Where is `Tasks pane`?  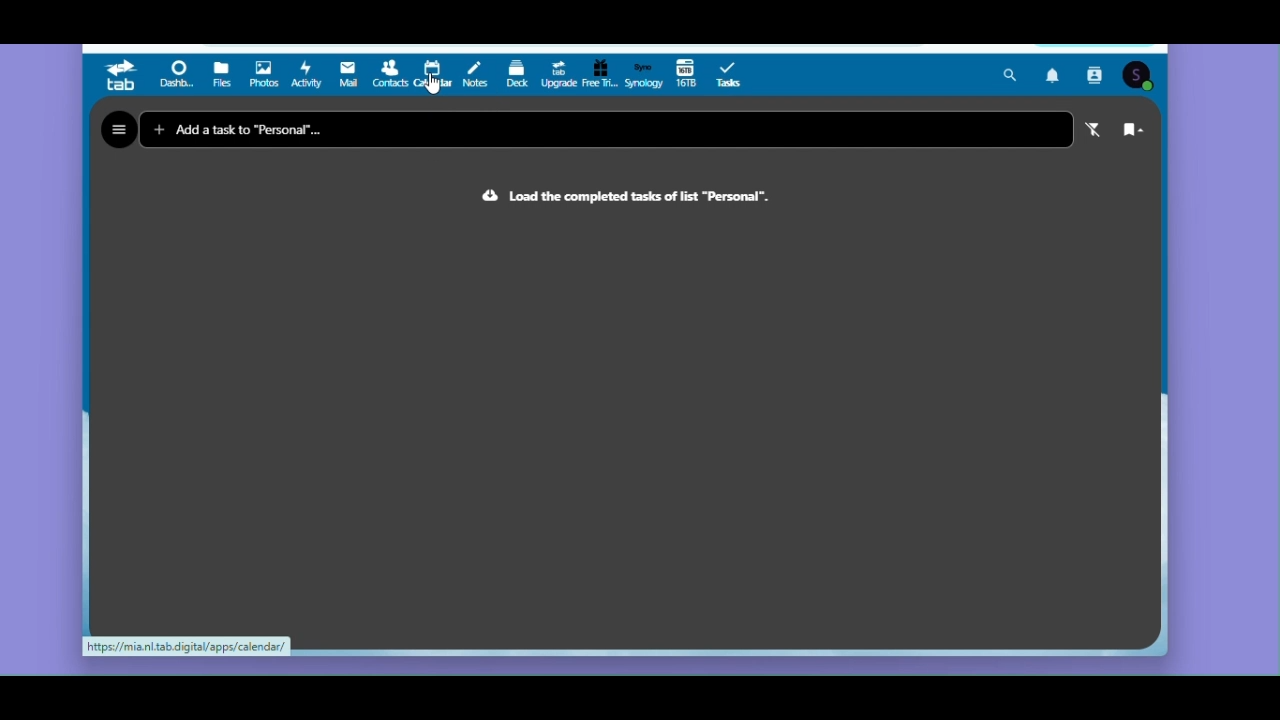
Tasks pane is located at coordinates (623, 426).